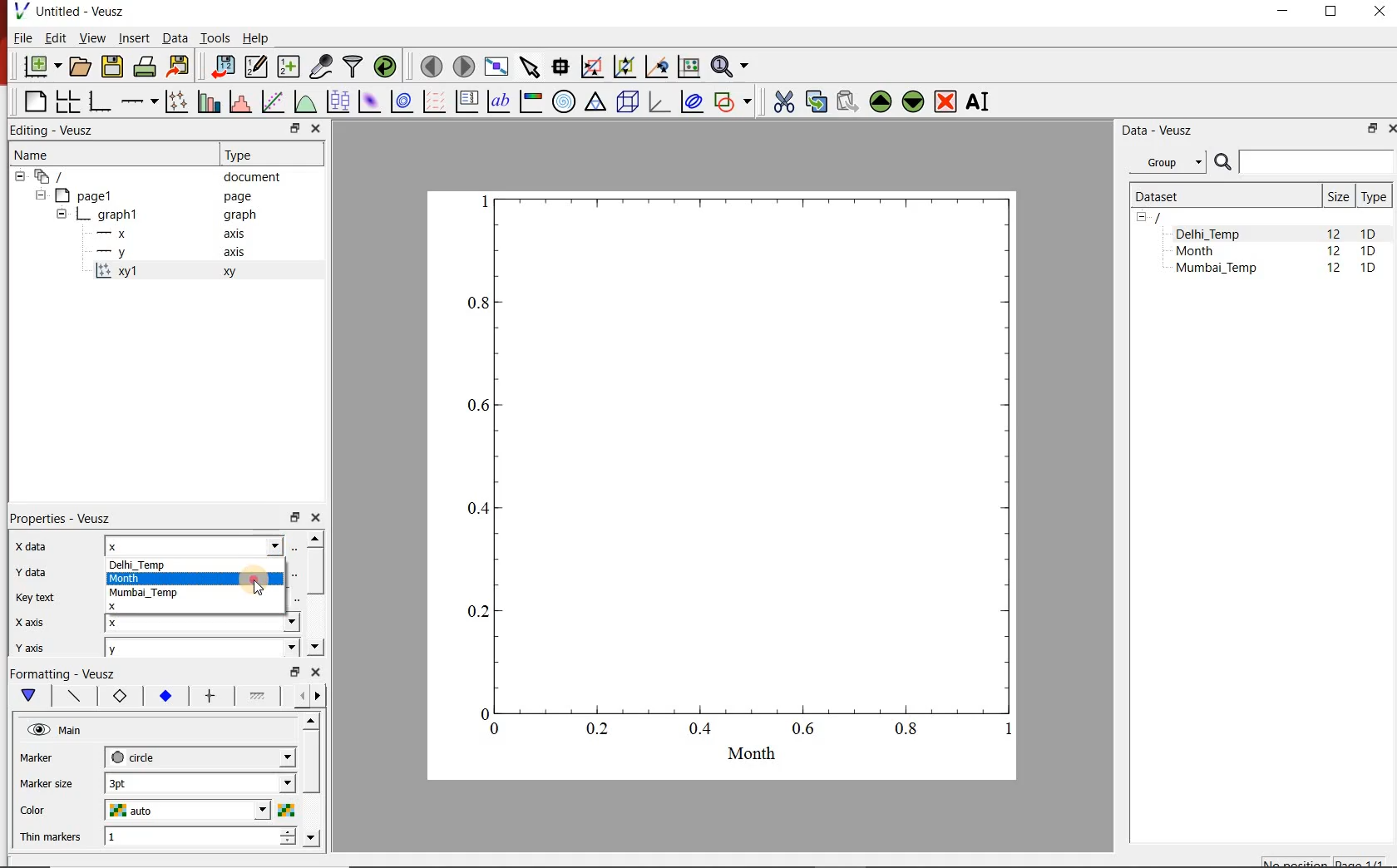 The width and height of the screenshot is (1397, 868). What do you see at coordinates (200, 838) in the screenshot?
I see `1` at bounding box center [200, 838].